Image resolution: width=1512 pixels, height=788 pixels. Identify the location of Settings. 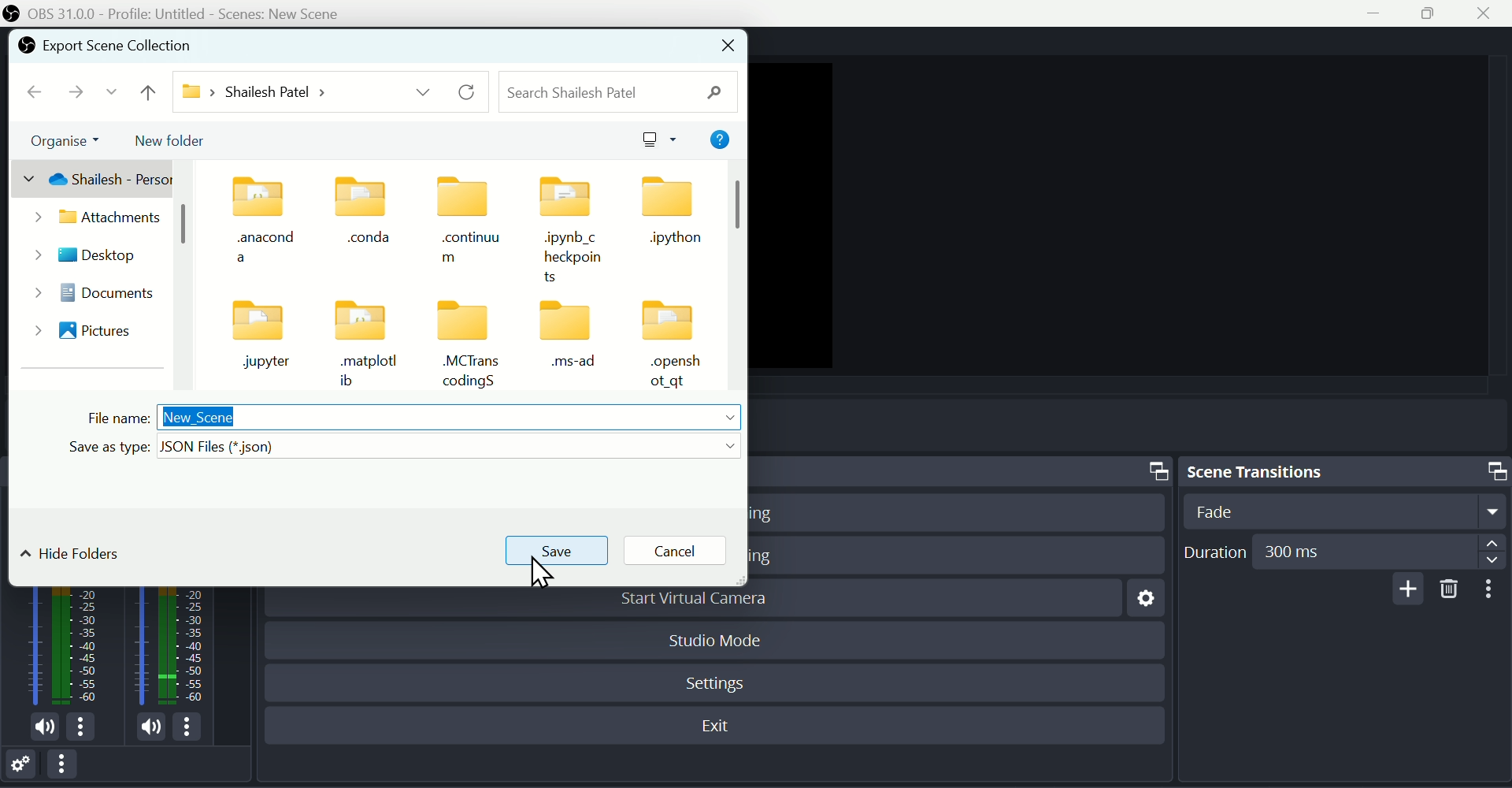
(719, 680).